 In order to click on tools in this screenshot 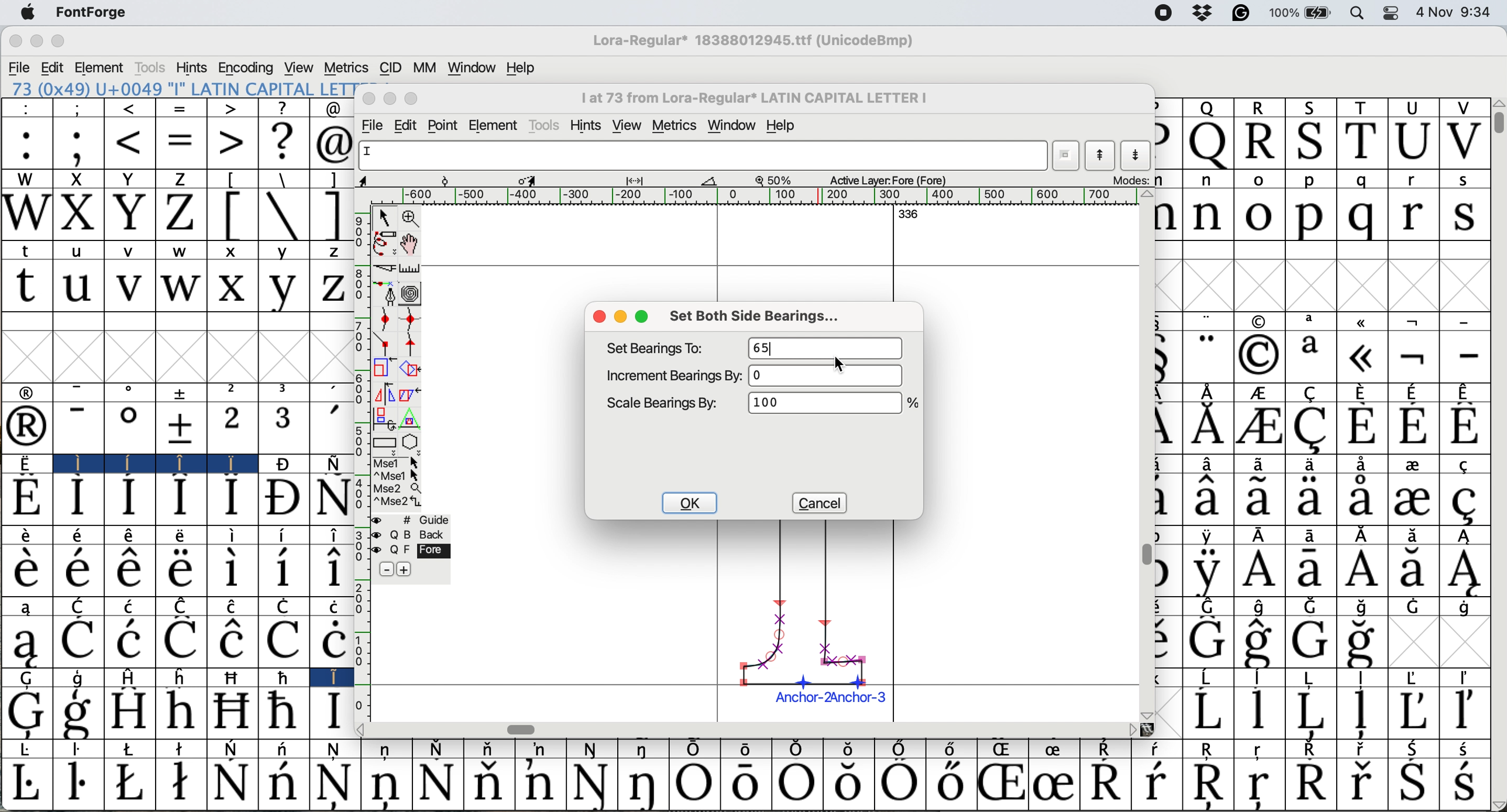, I will do `click(149, 68)`.